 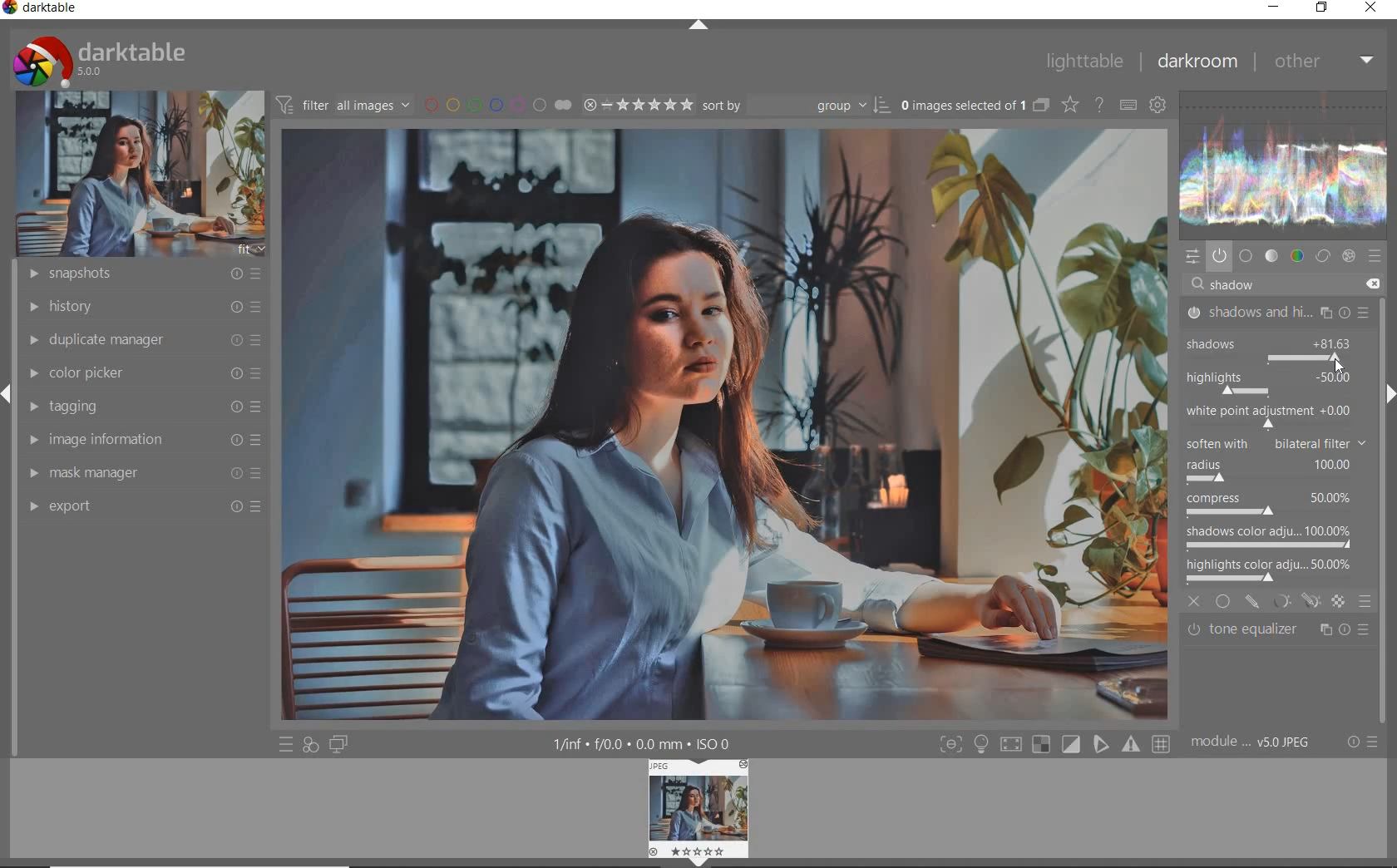 I want to click on correct, so click(x=1322, y=255).